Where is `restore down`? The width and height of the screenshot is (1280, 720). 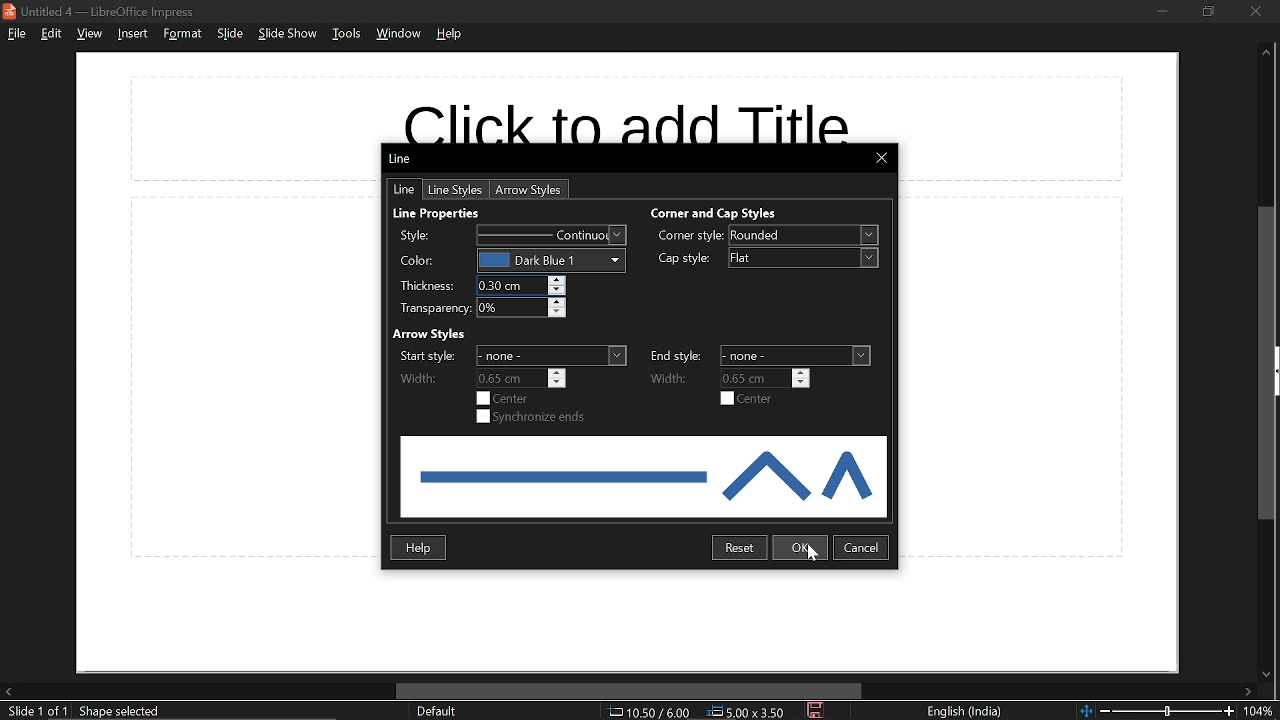
restore down is located at coordinates (1208, 11).